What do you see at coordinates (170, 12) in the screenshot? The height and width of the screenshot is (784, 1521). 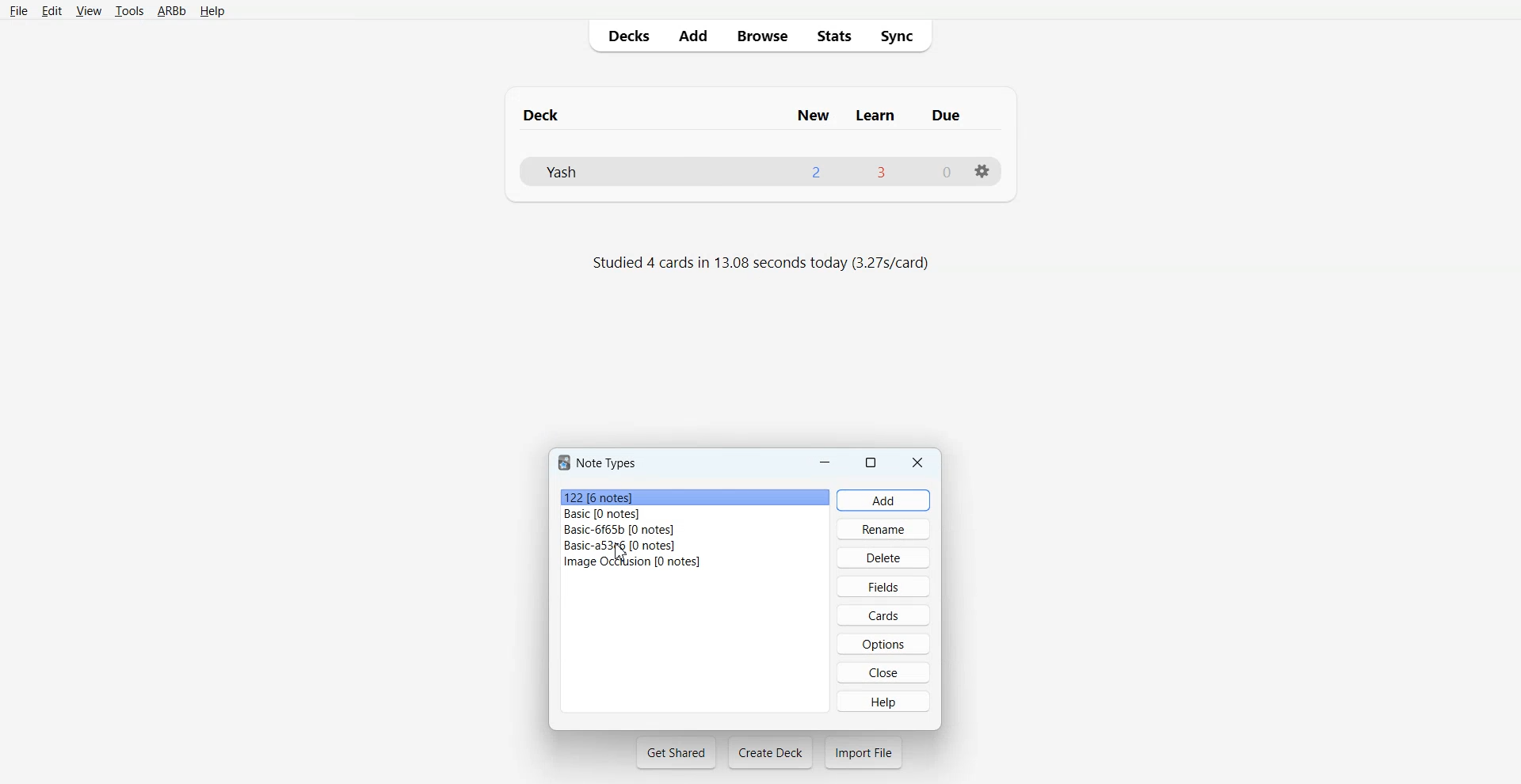 I see `ARBb` at bounding box center [170, 12].